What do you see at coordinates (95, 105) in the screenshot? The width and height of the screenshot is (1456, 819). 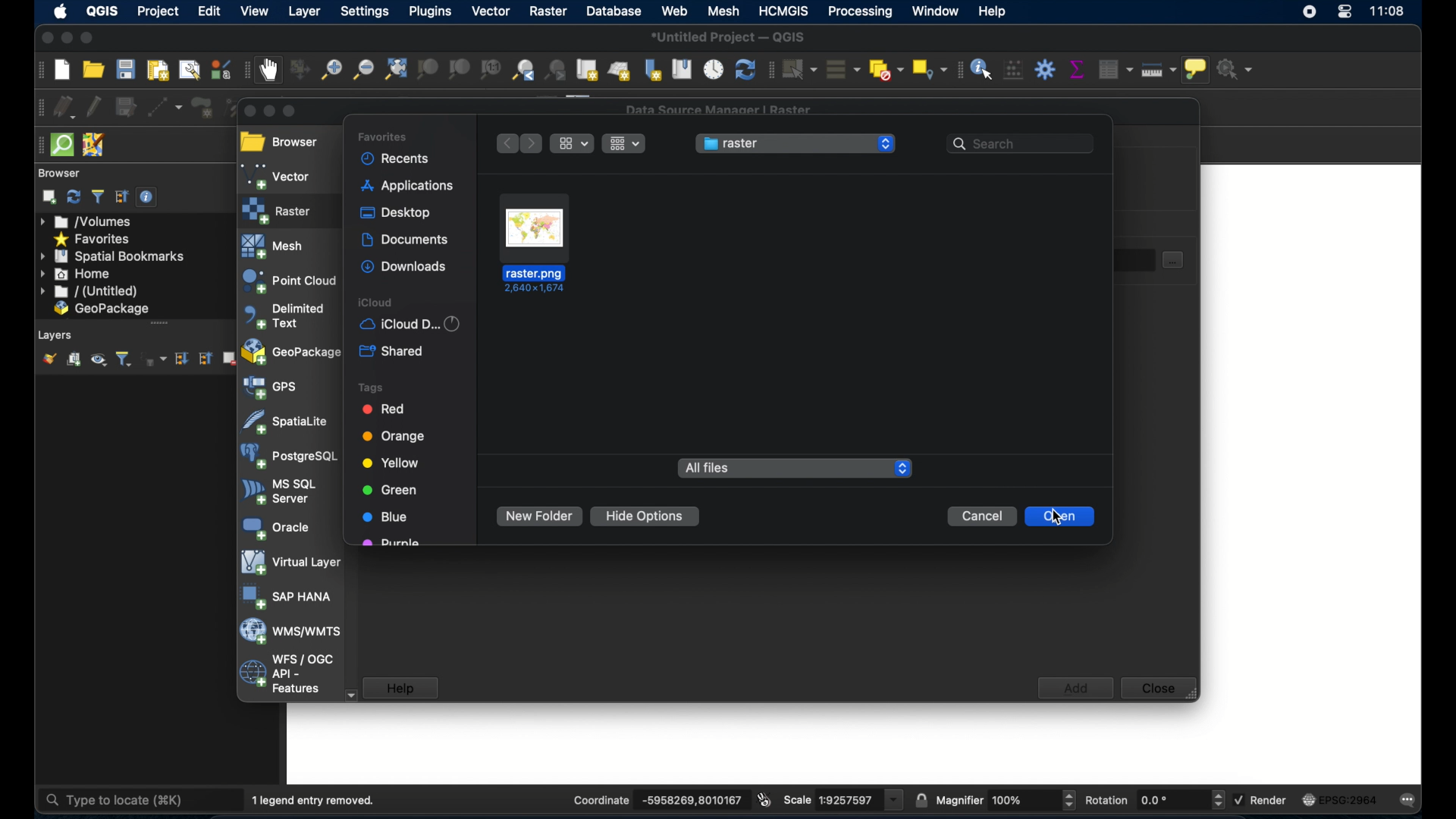 I see `toggle editing` at bounding box center [95, 105].